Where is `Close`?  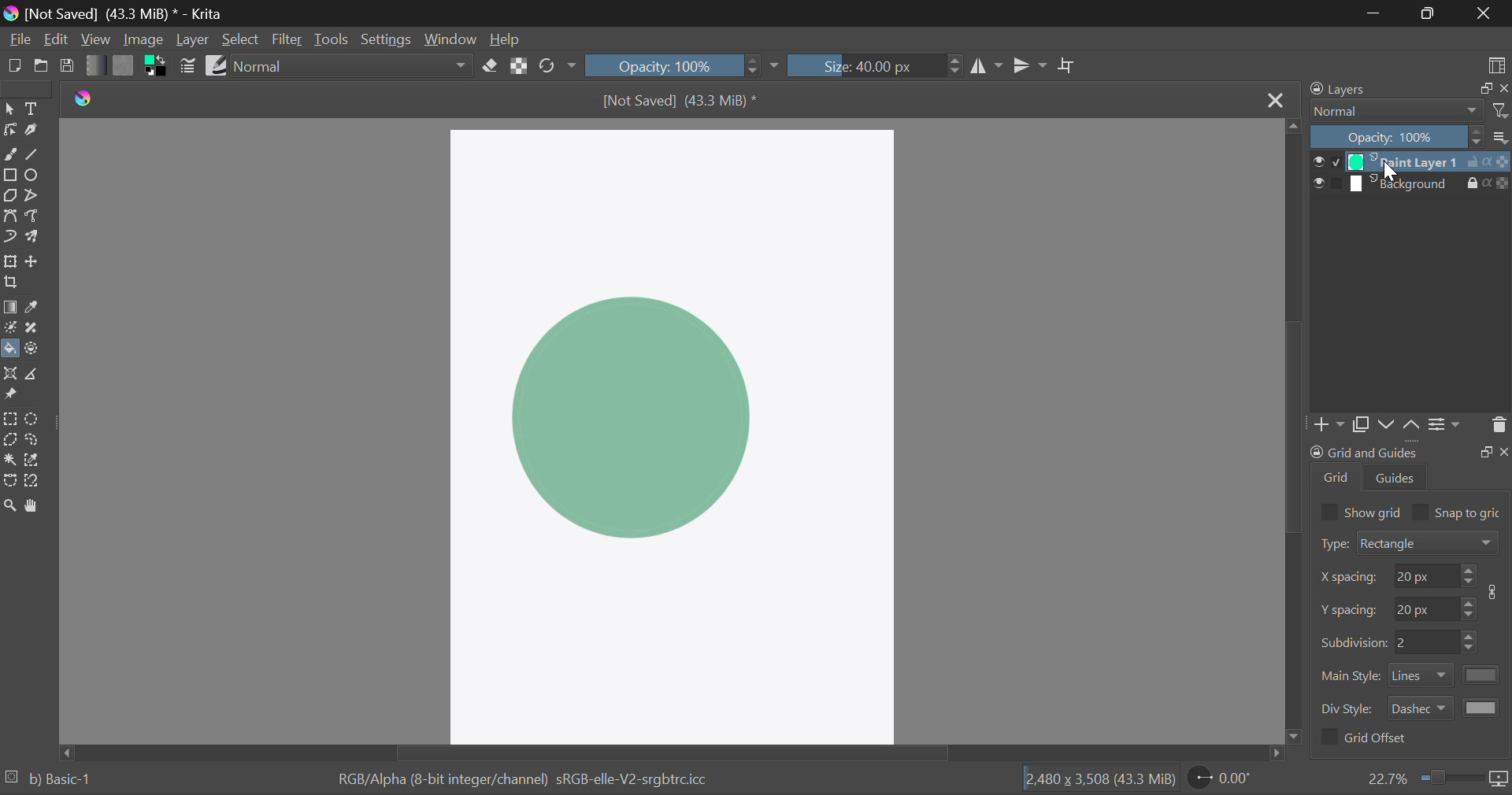 Close is located at coordinates (1484, 13).